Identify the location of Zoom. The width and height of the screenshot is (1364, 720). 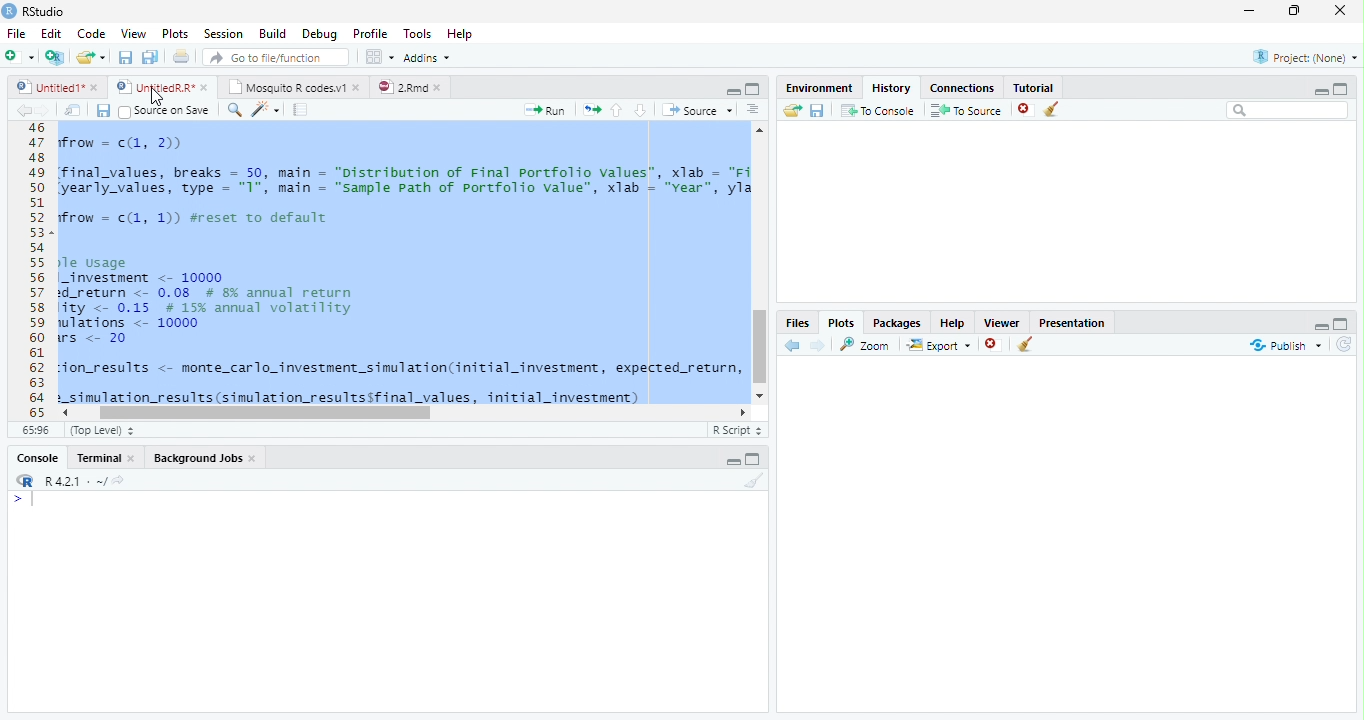
(866, 344).